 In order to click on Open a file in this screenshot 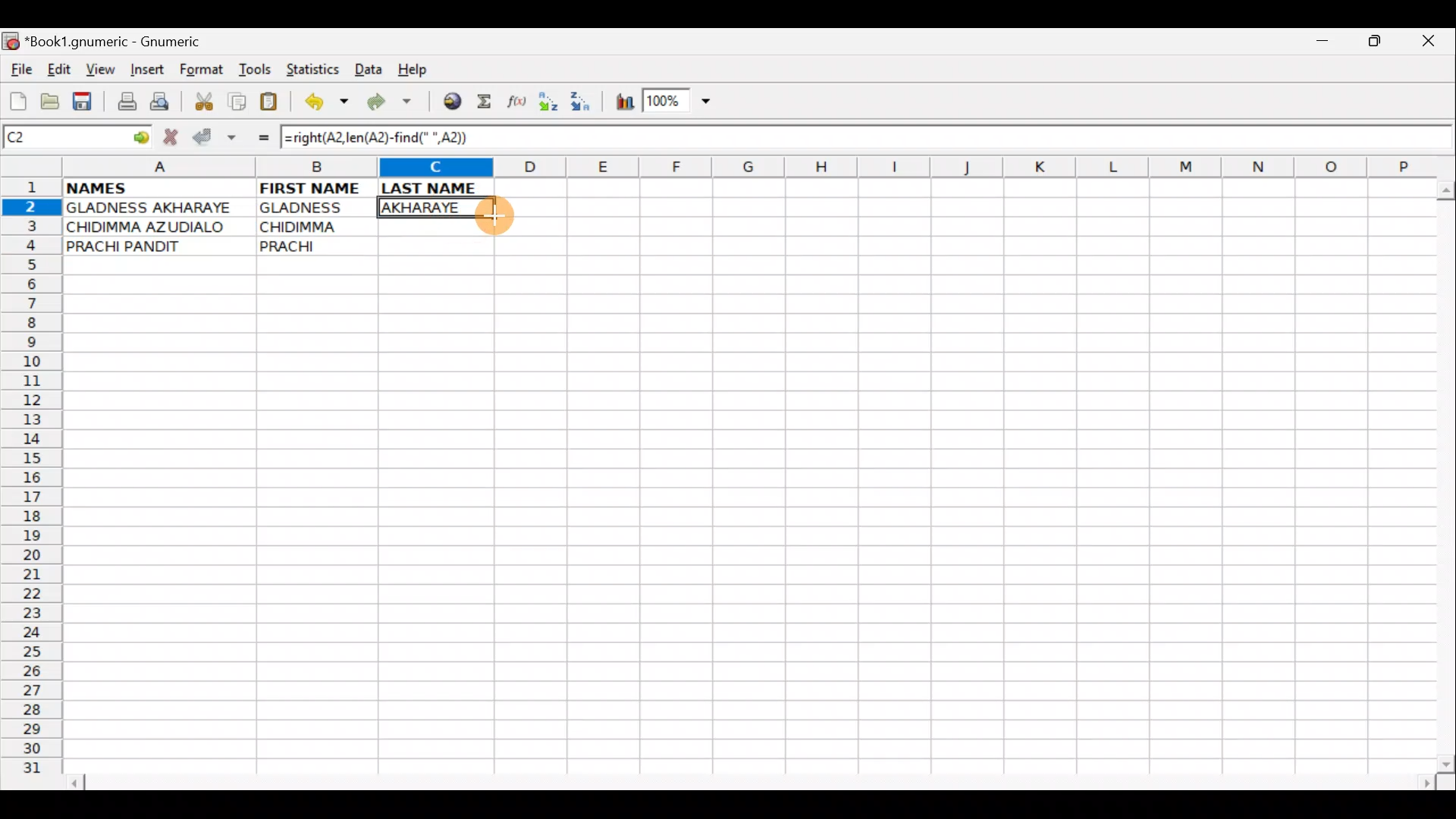, I will do `click(53, 99)`.